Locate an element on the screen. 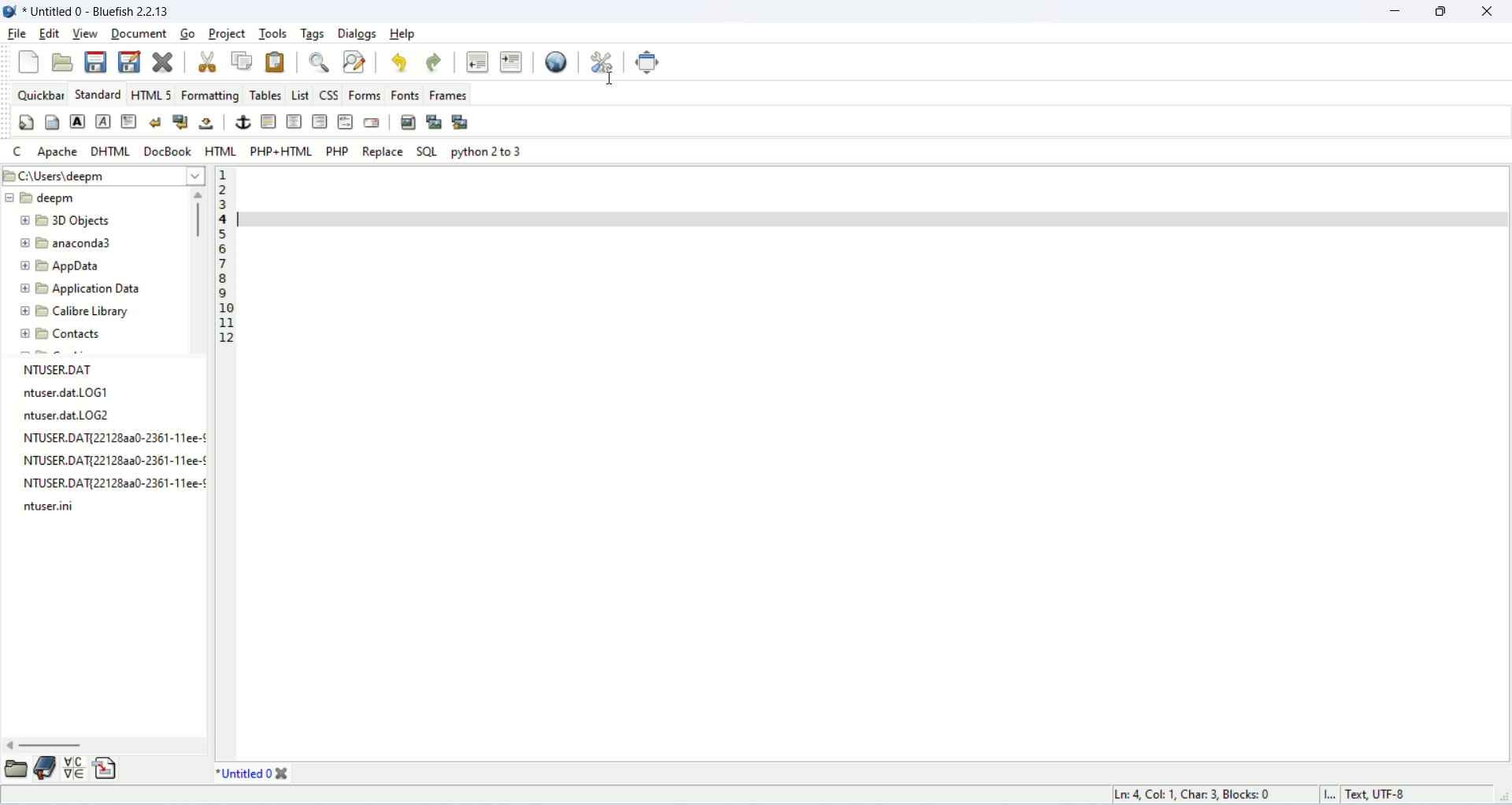 The height and width of the screenshot is (805, 1512). close is located at coordinates (1488, 14).